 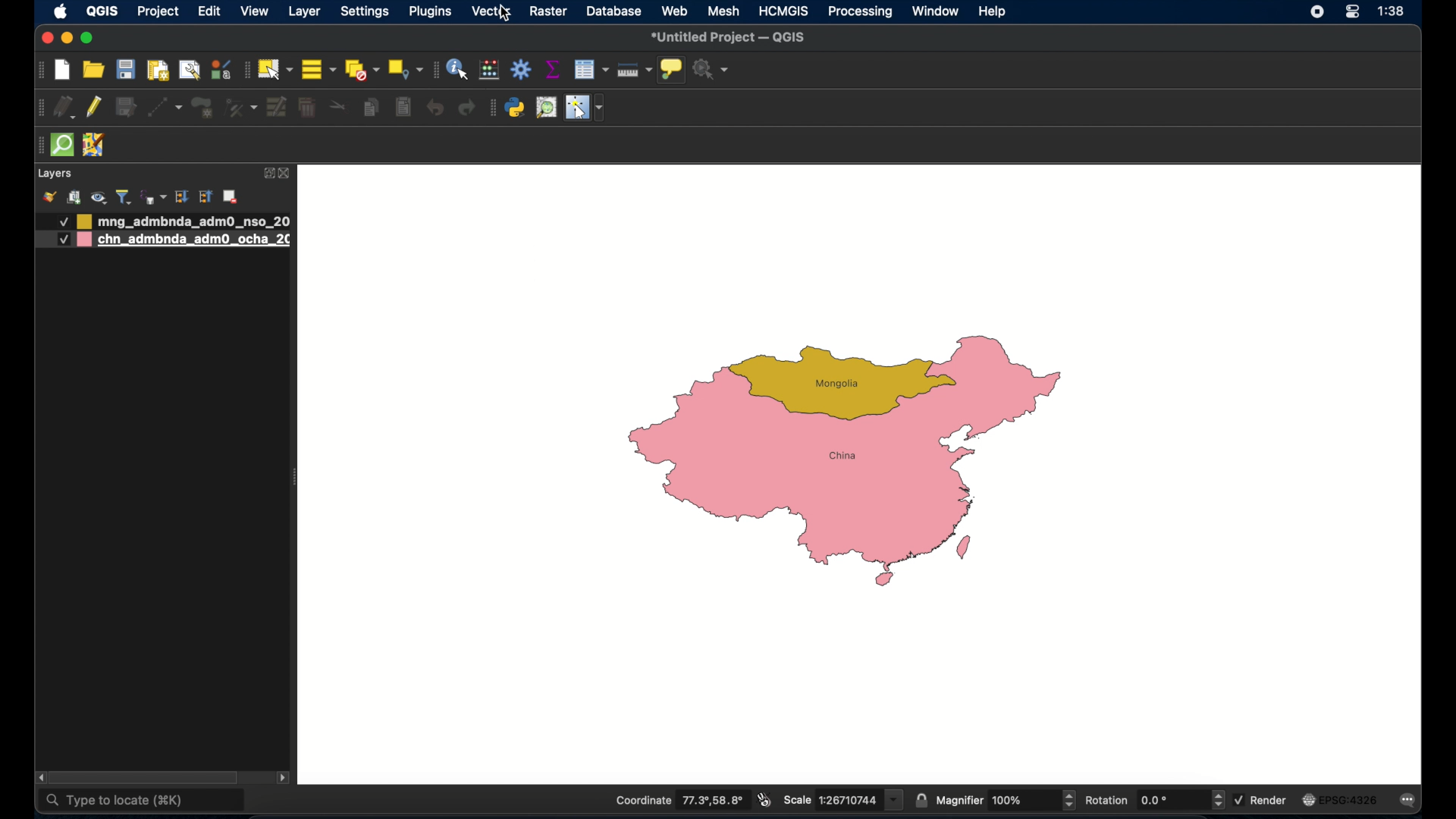 I want to click on paste features, so click(x=405, y=108).